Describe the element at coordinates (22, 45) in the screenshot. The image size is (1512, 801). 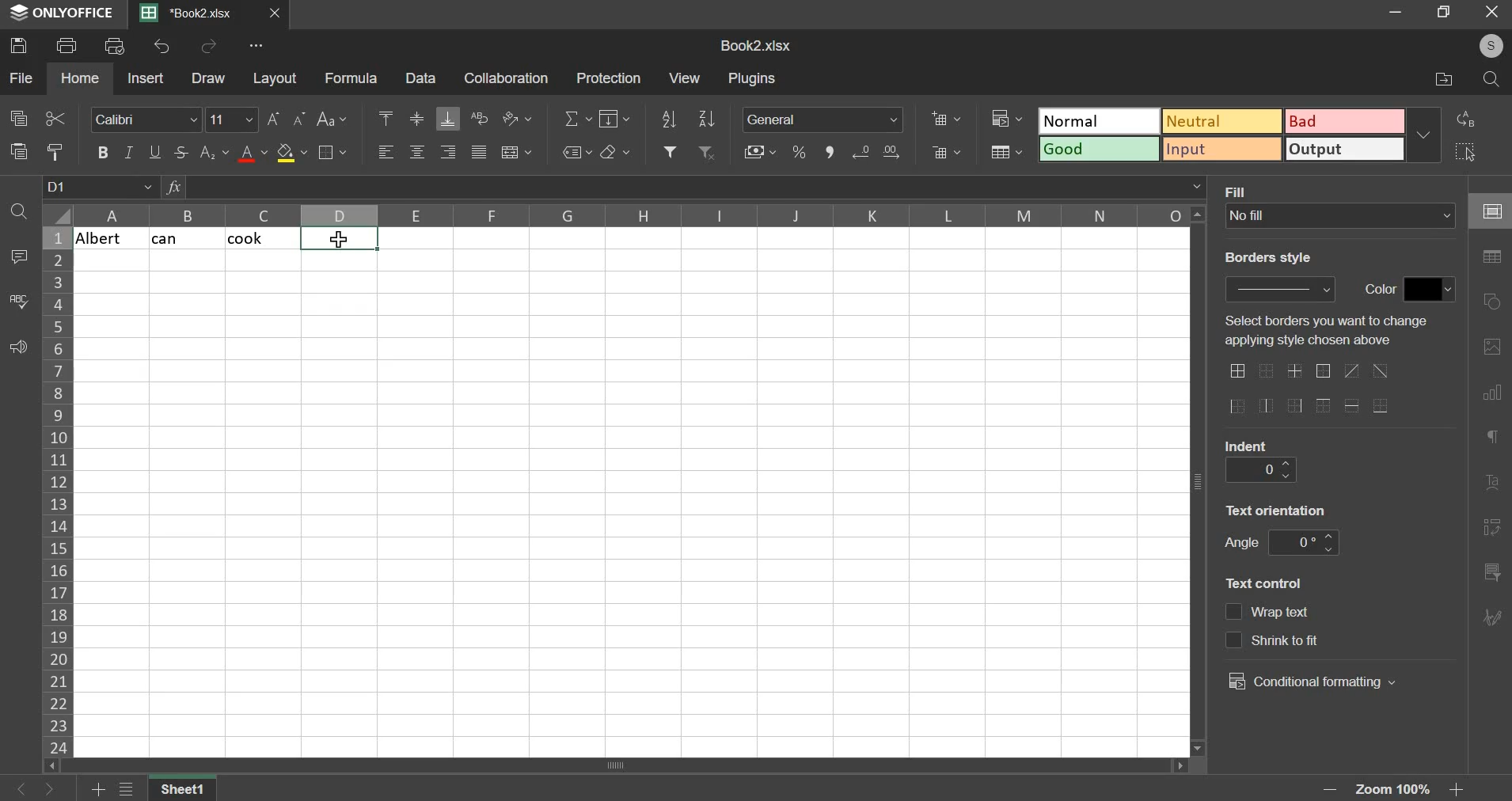
I see `save` at that location.